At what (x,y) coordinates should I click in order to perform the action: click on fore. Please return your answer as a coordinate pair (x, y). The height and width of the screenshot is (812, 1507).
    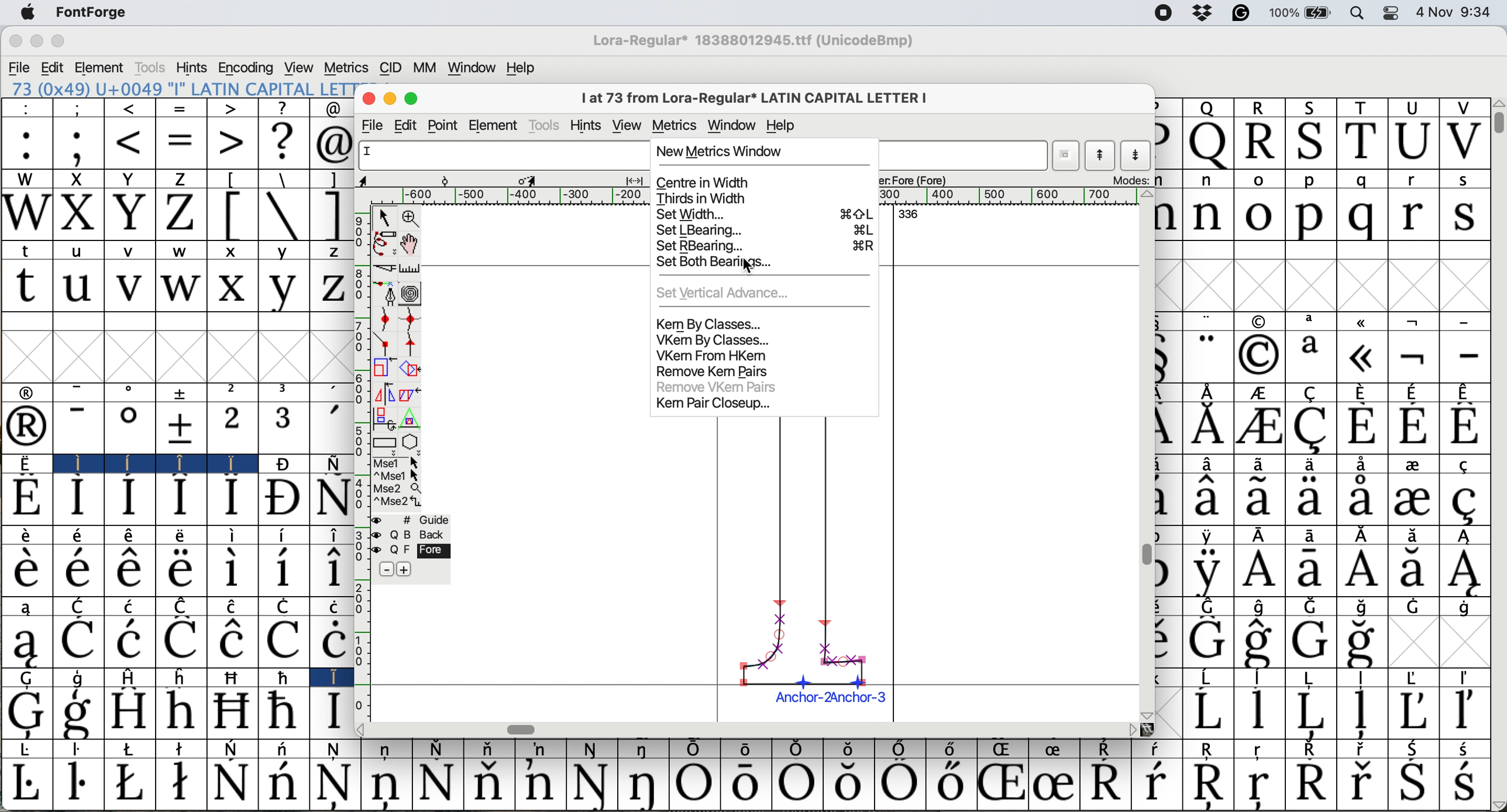
    Looking at the image, I should click on (422, 550).